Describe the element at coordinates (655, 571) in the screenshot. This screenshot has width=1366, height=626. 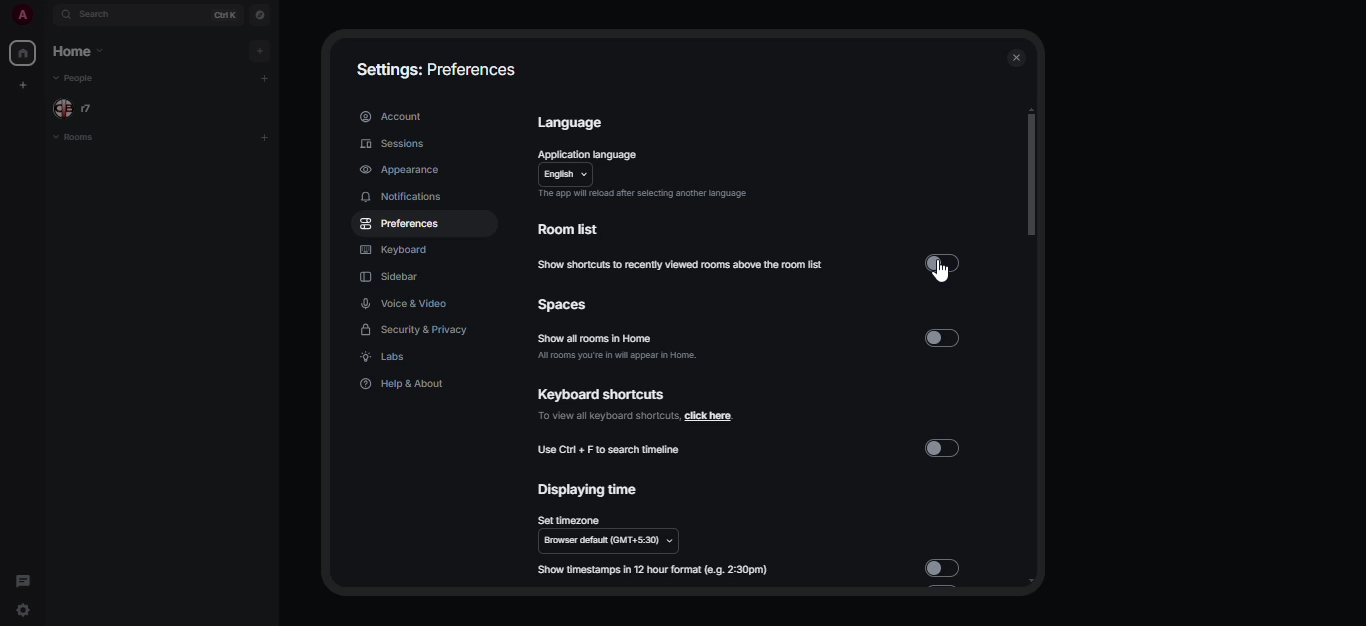
I see `show timestamp in 12 hour format (e.g. 2:30pm)` at that location.